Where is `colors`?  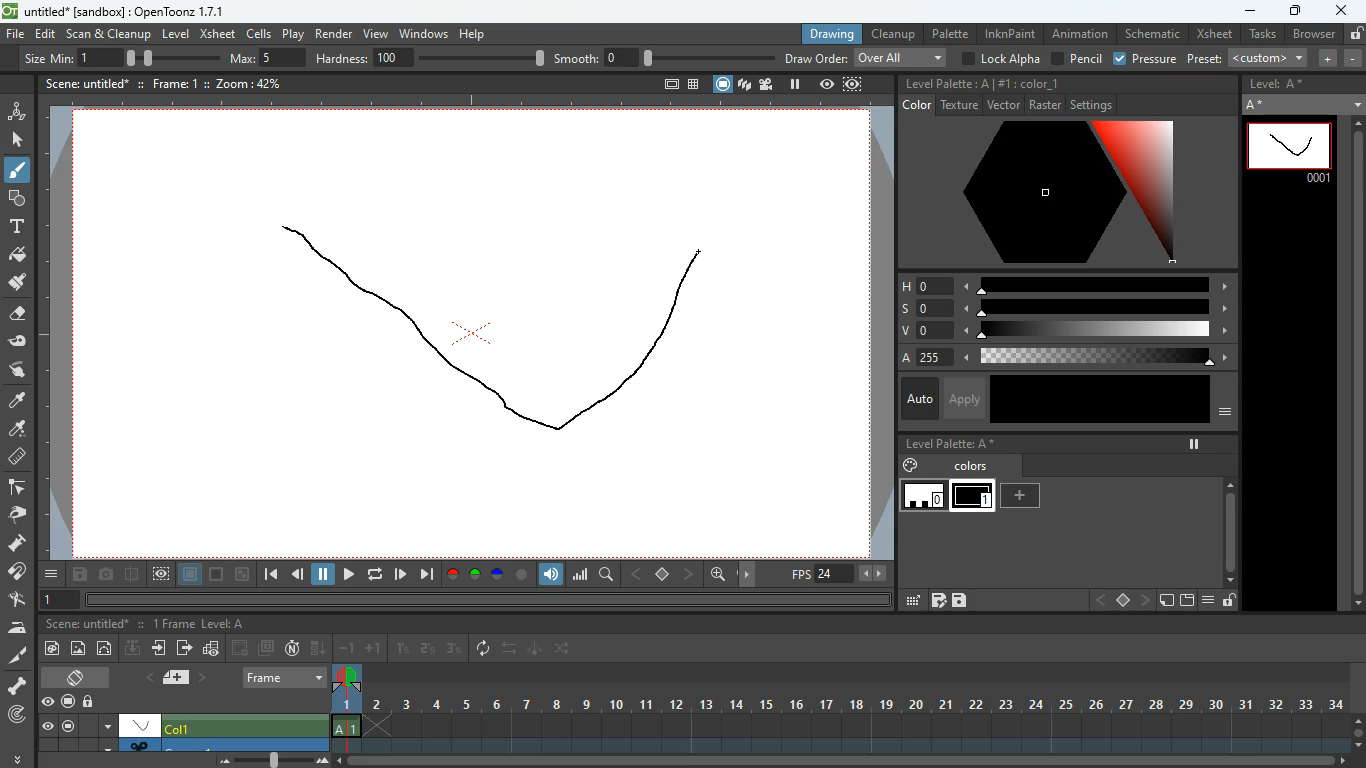 colors is located at coordinates (949, 465).